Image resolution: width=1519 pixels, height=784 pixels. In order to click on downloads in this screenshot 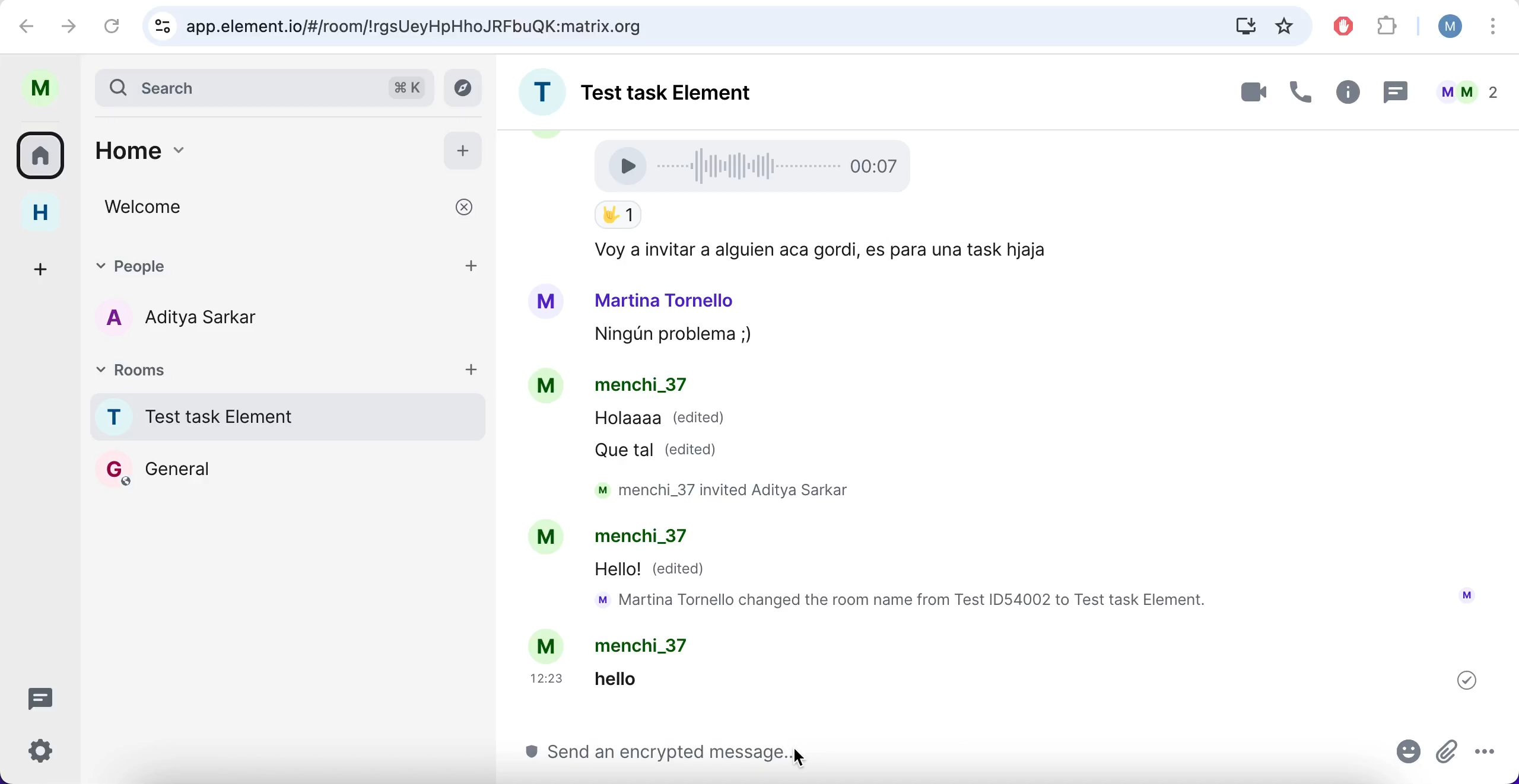, I will do `click(1244, 26)`.